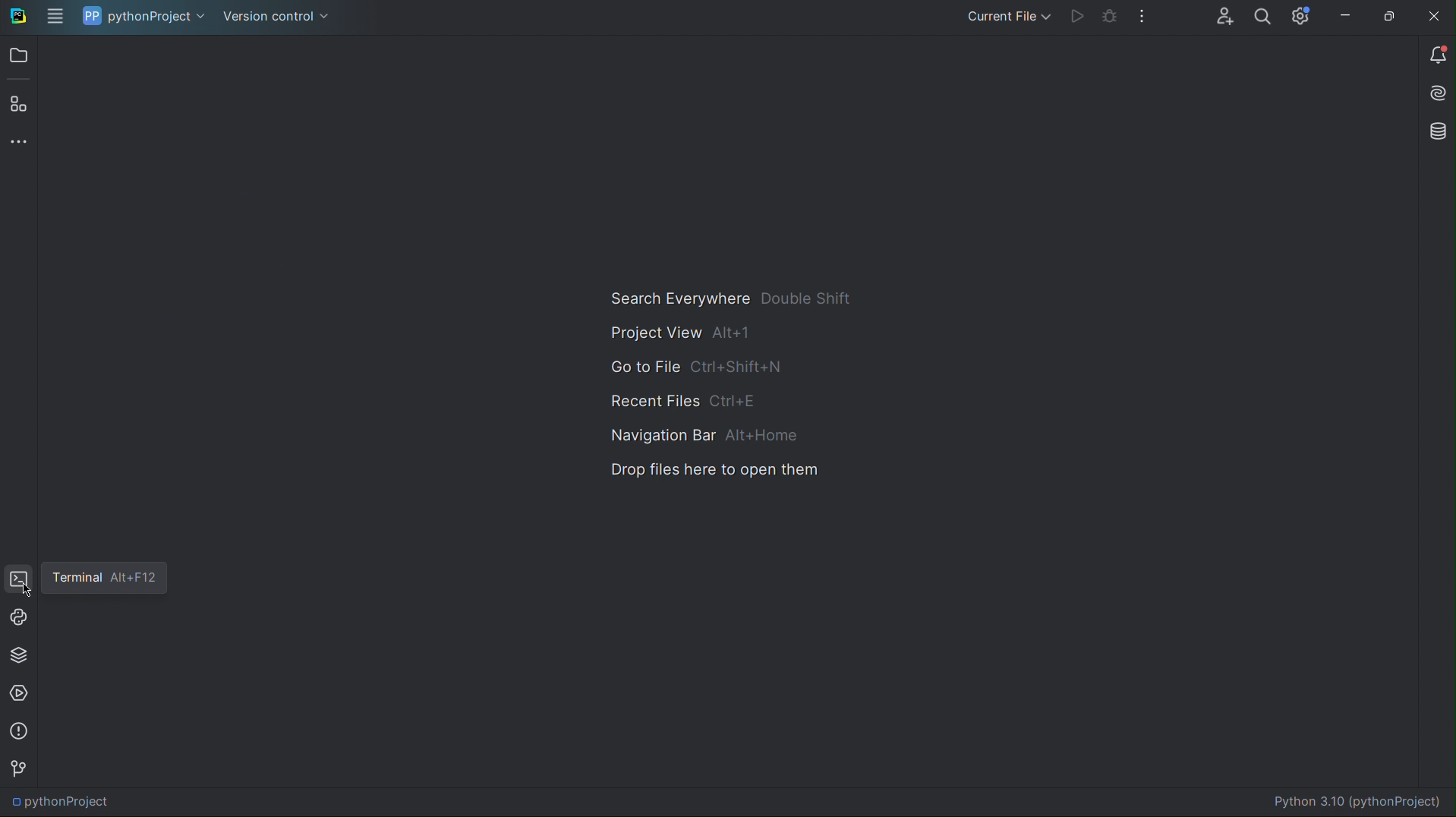  I want to click on Cursor, so click(27, 591).